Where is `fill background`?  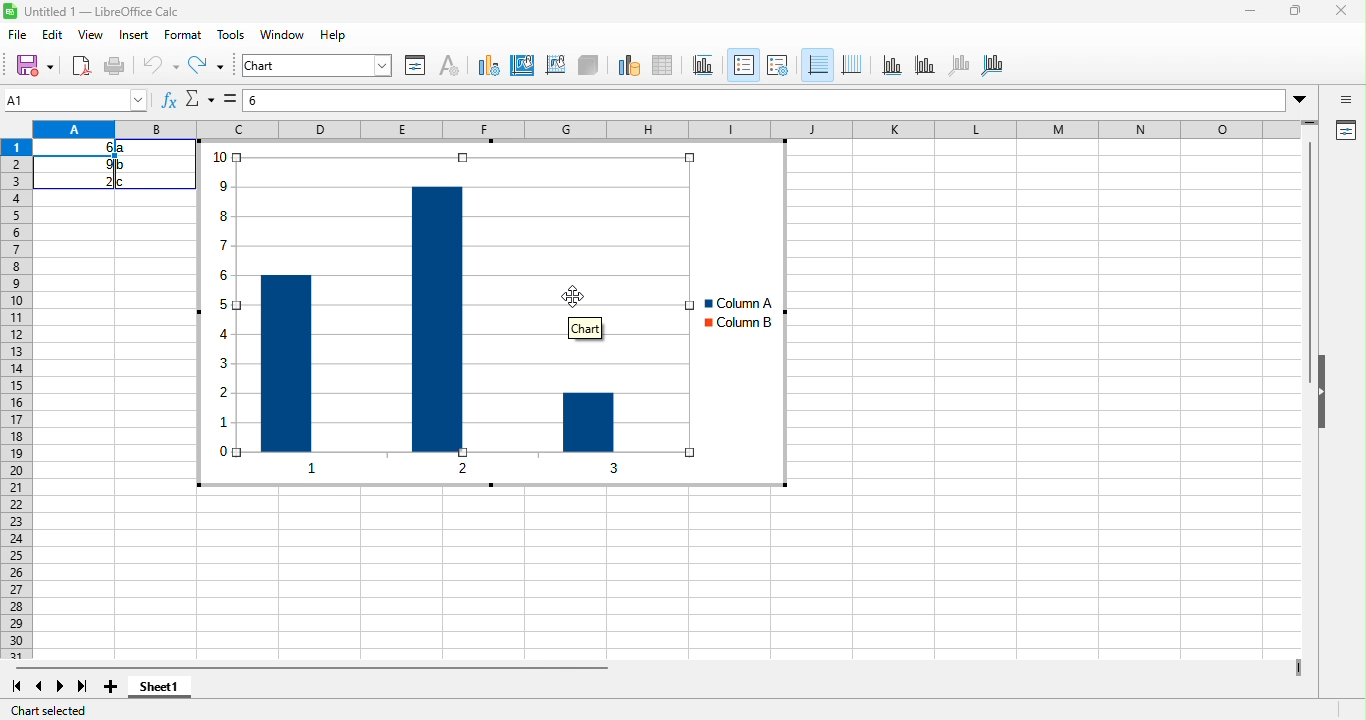
fill background is located at coordinates (525, 67).